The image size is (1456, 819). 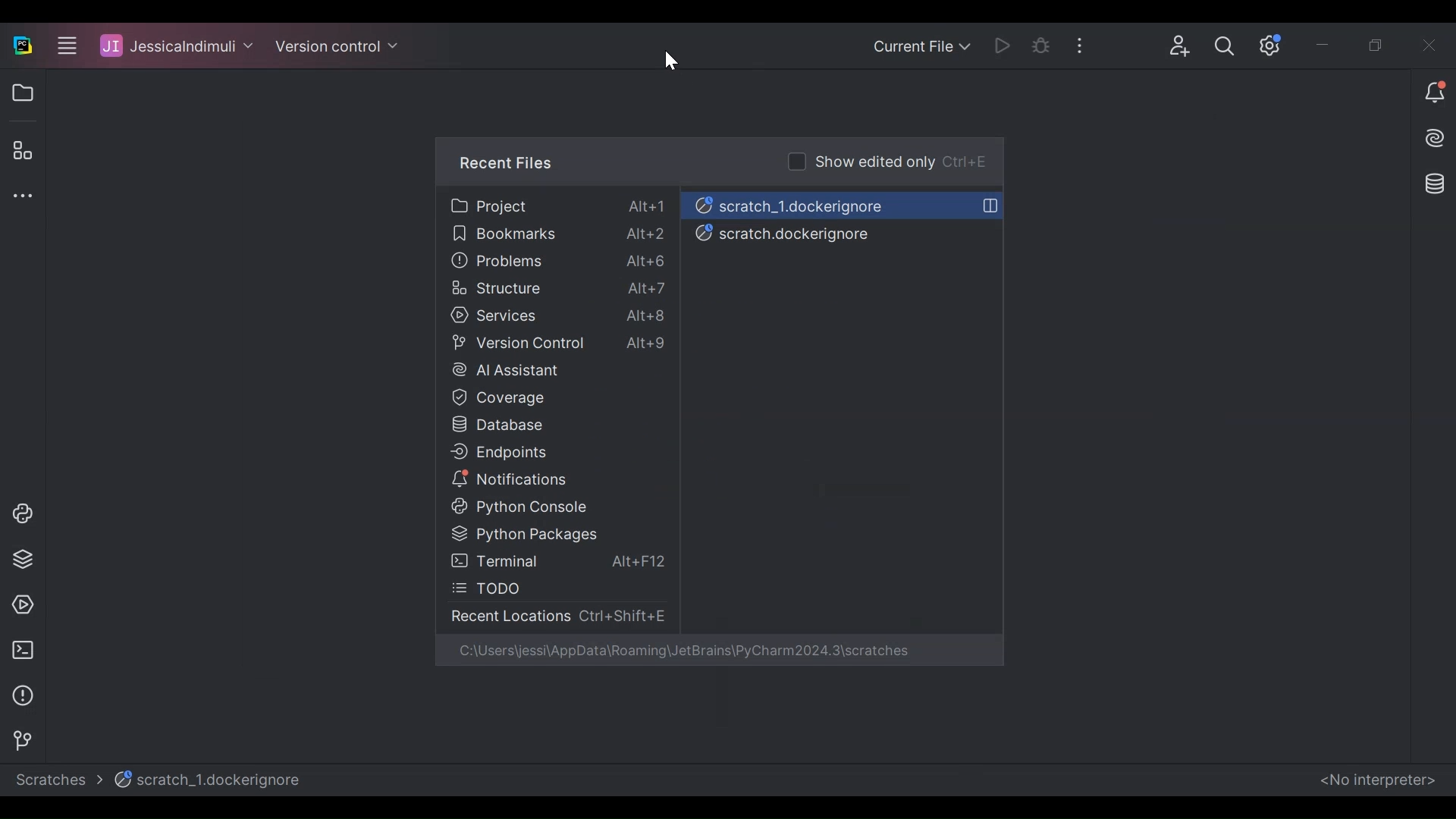 What do you see at coordinates (843, 202) in the screenshot?
I see `Scratch File` at bounding box center [843, 202].